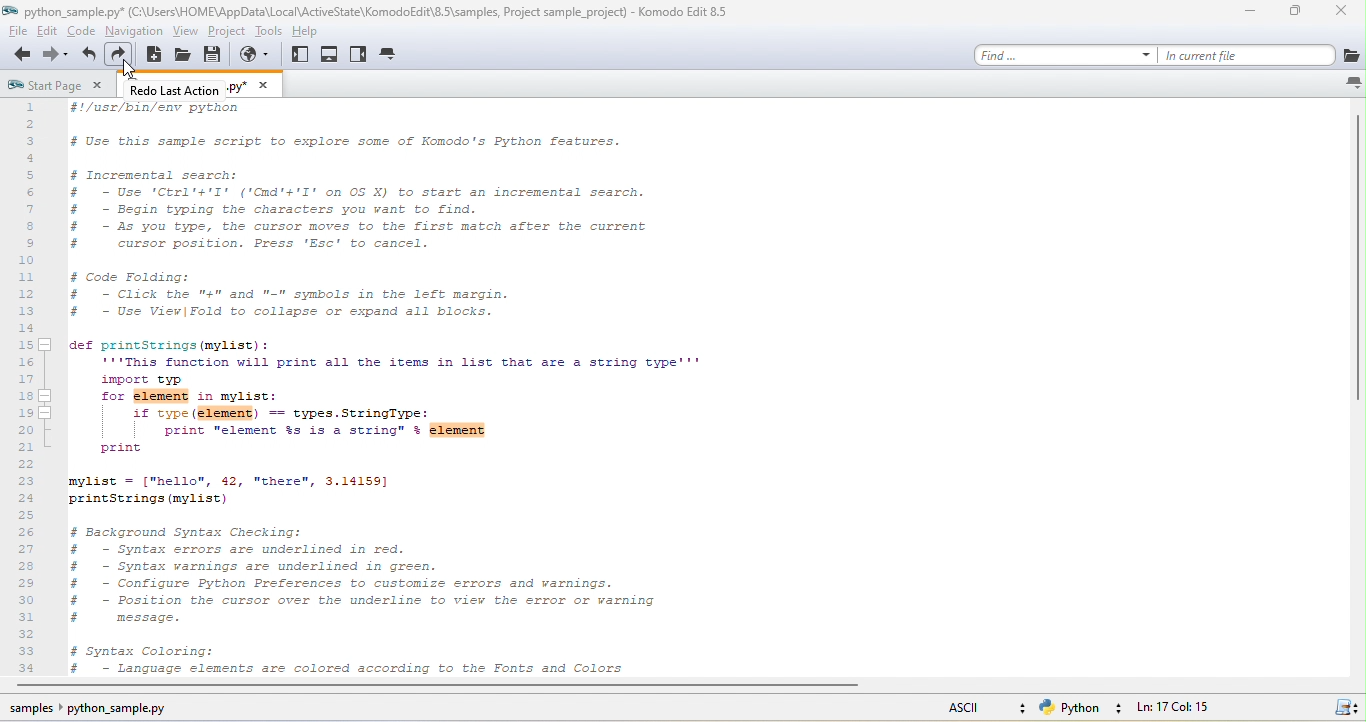  Describe the element at coordinates (57, 57) in the screenshot. I see `forward` at that location.